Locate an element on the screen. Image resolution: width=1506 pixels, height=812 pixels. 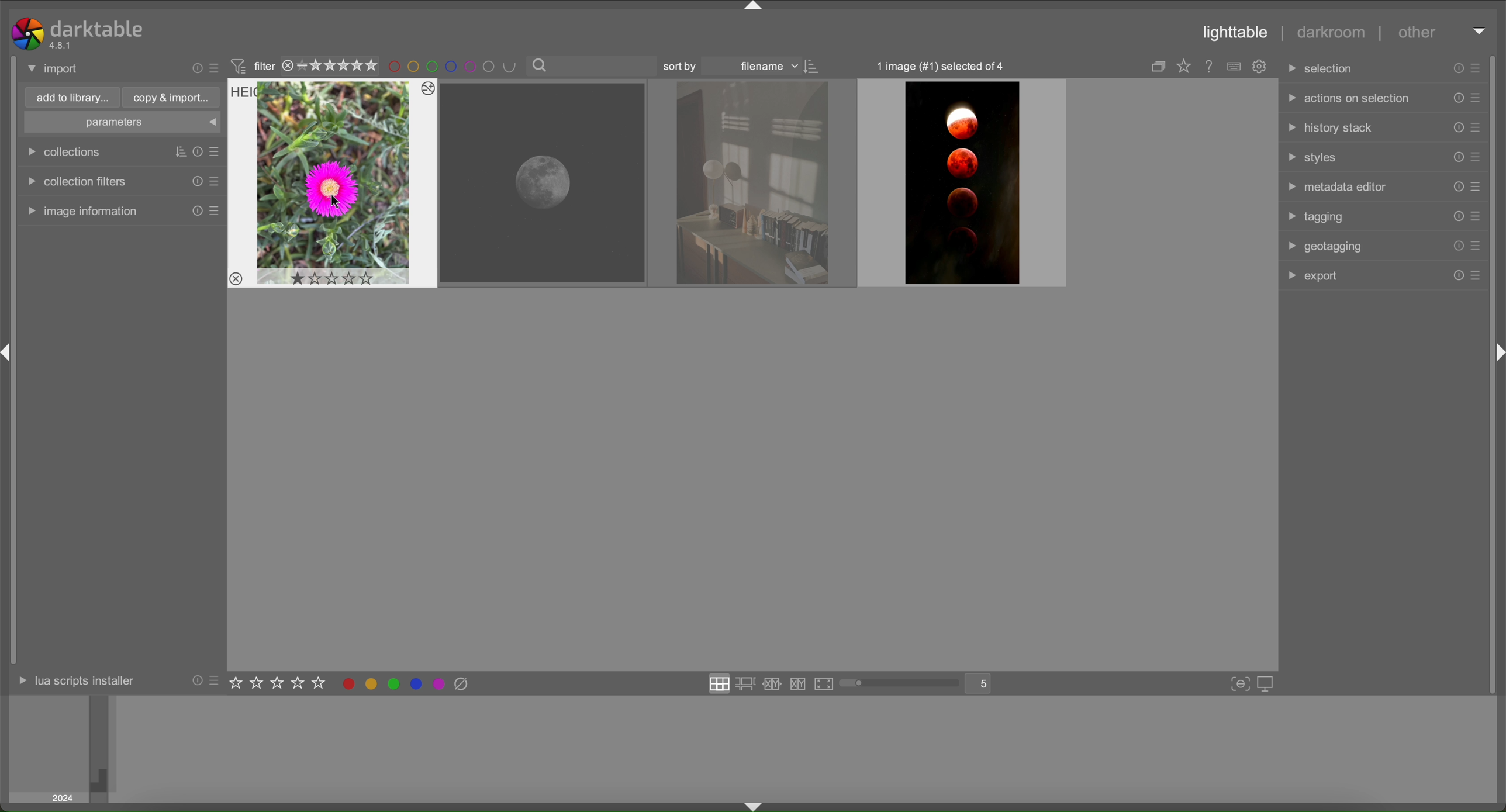
actions on selection tab is located at coordinates (1346, 99).